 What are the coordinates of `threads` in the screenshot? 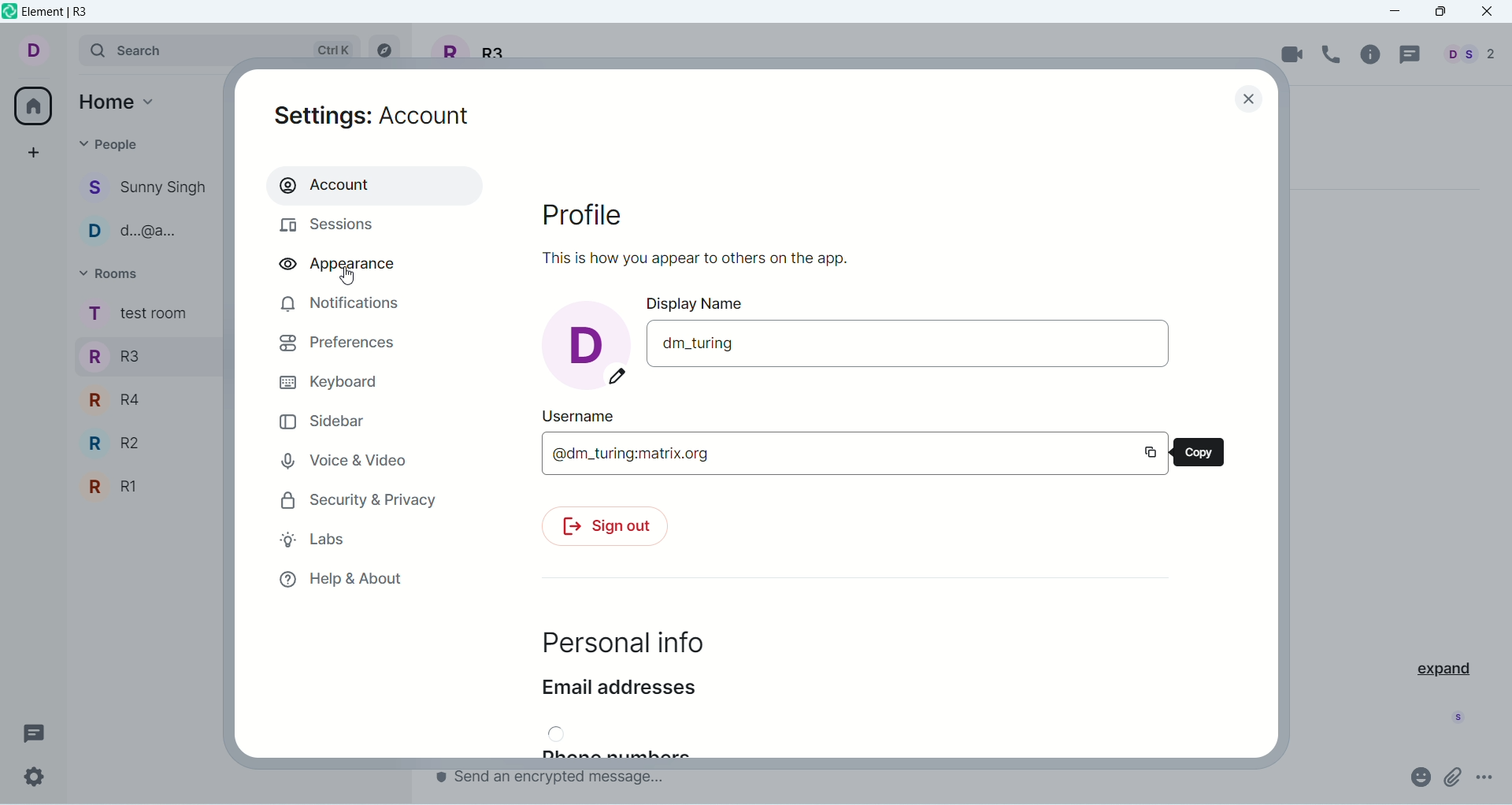 It's located at (1407, 55).